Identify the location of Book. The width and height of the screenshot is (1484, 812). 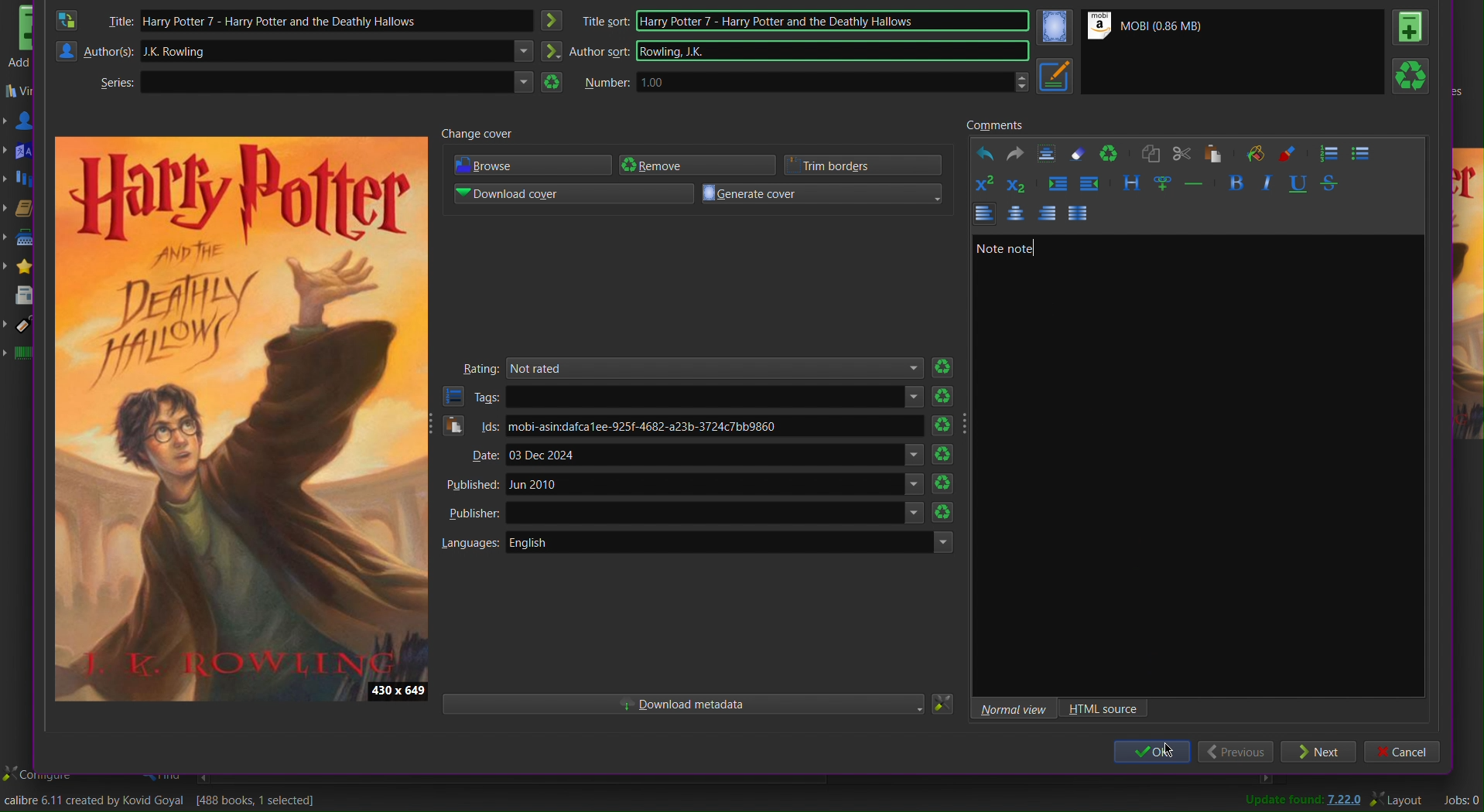
(1412, 26).